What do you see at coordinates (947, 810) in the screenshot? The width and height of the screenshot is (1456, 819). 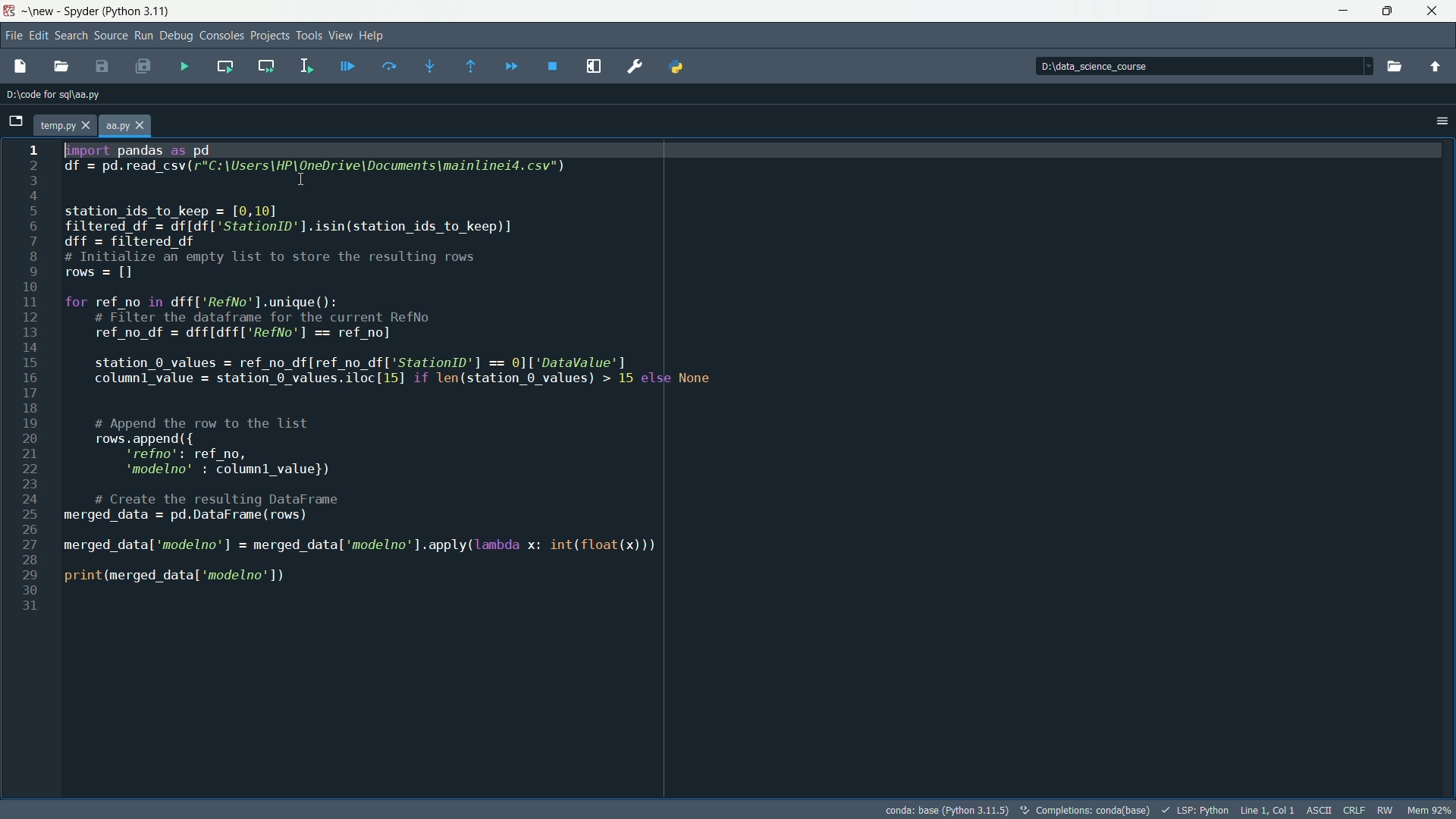 I see `python interpretor` at bounding box center [947, 810].